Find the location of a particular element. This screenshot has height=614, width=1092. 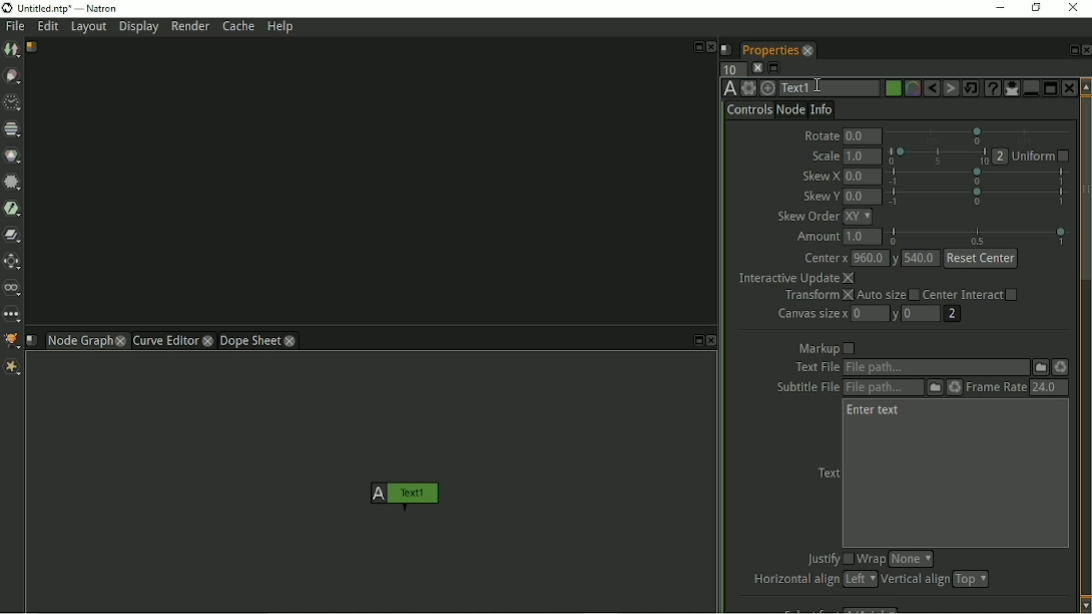

Script name is located at coordinates (32, 340).